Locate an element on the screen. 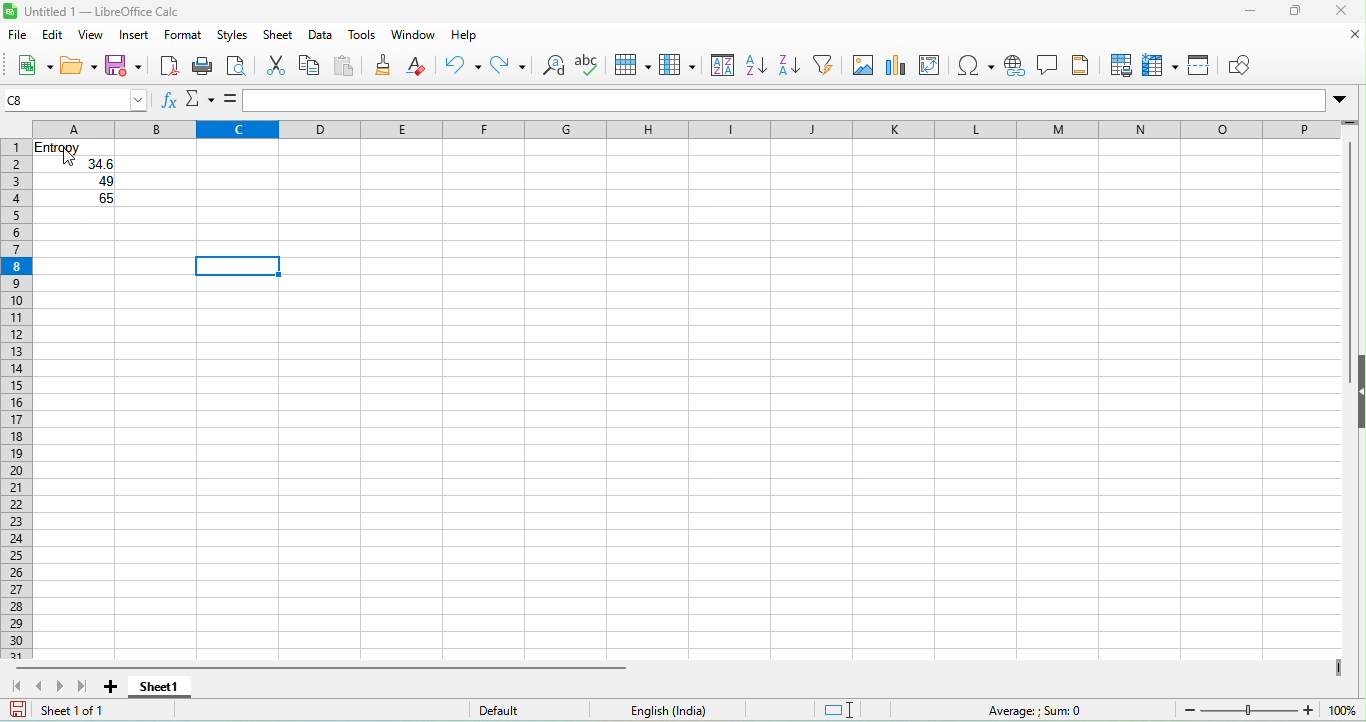  cursor is located at coordinates (67, 159).